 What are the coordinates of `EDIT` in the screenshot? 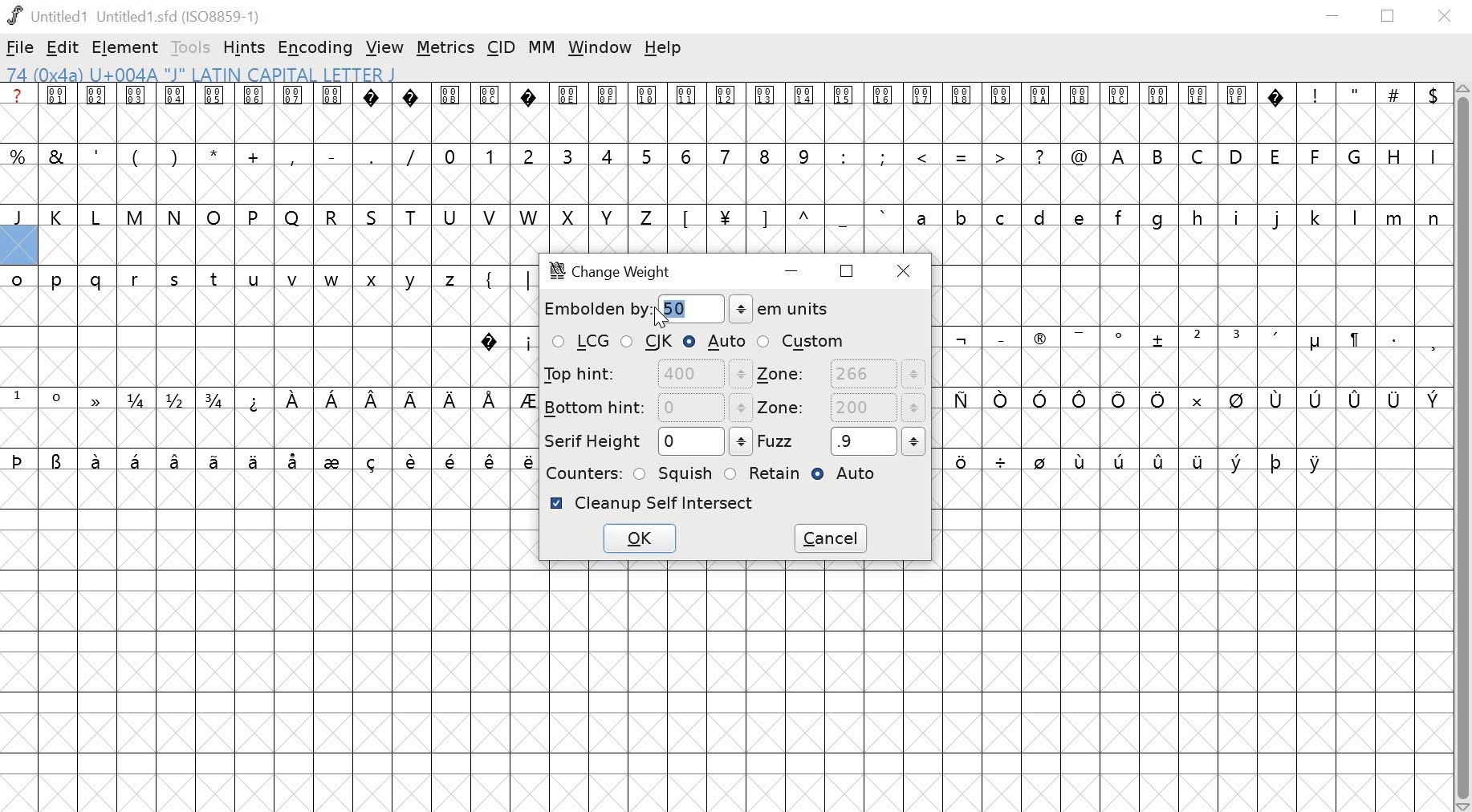 It's located at (63, 49).